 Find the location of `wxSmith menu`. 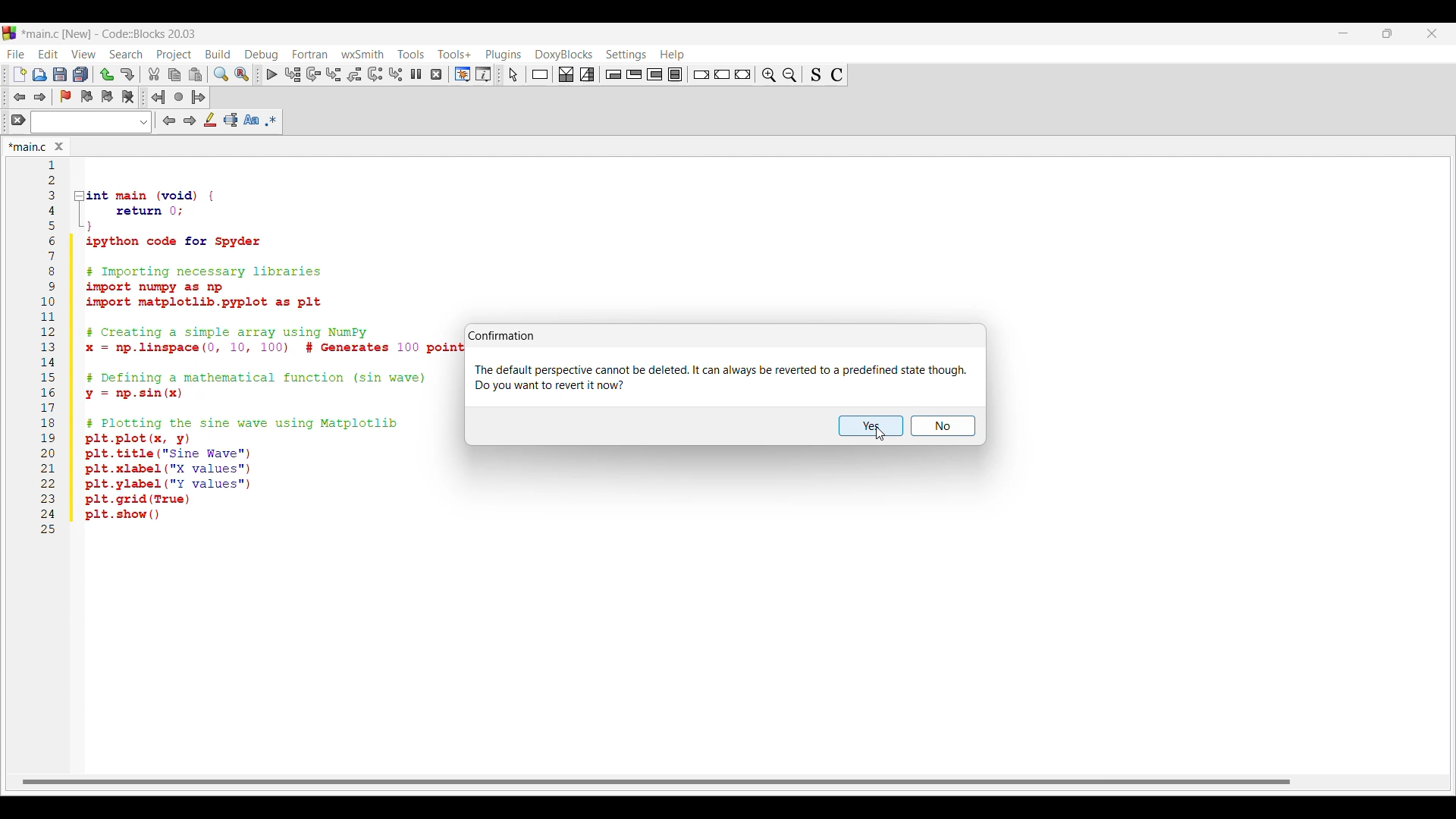

wxSmith menu is located at coordinates (363, 54).